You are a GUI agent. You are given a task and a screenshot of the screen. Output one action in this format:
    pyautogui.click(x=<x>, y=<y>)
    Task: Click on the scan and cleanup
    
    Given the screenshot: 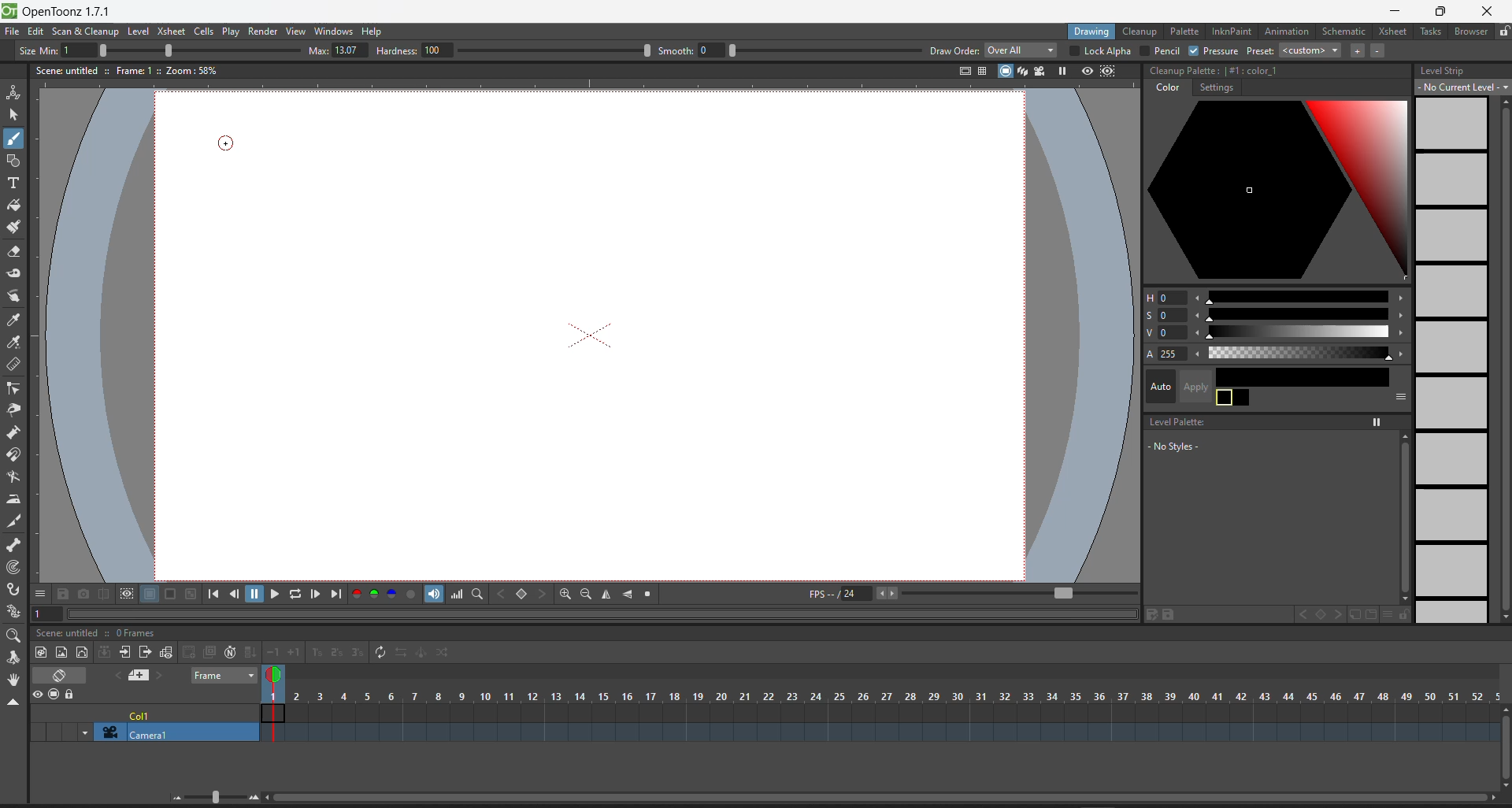 What is the action you would take?
    pyautogui.click(x=87, y=32)
    